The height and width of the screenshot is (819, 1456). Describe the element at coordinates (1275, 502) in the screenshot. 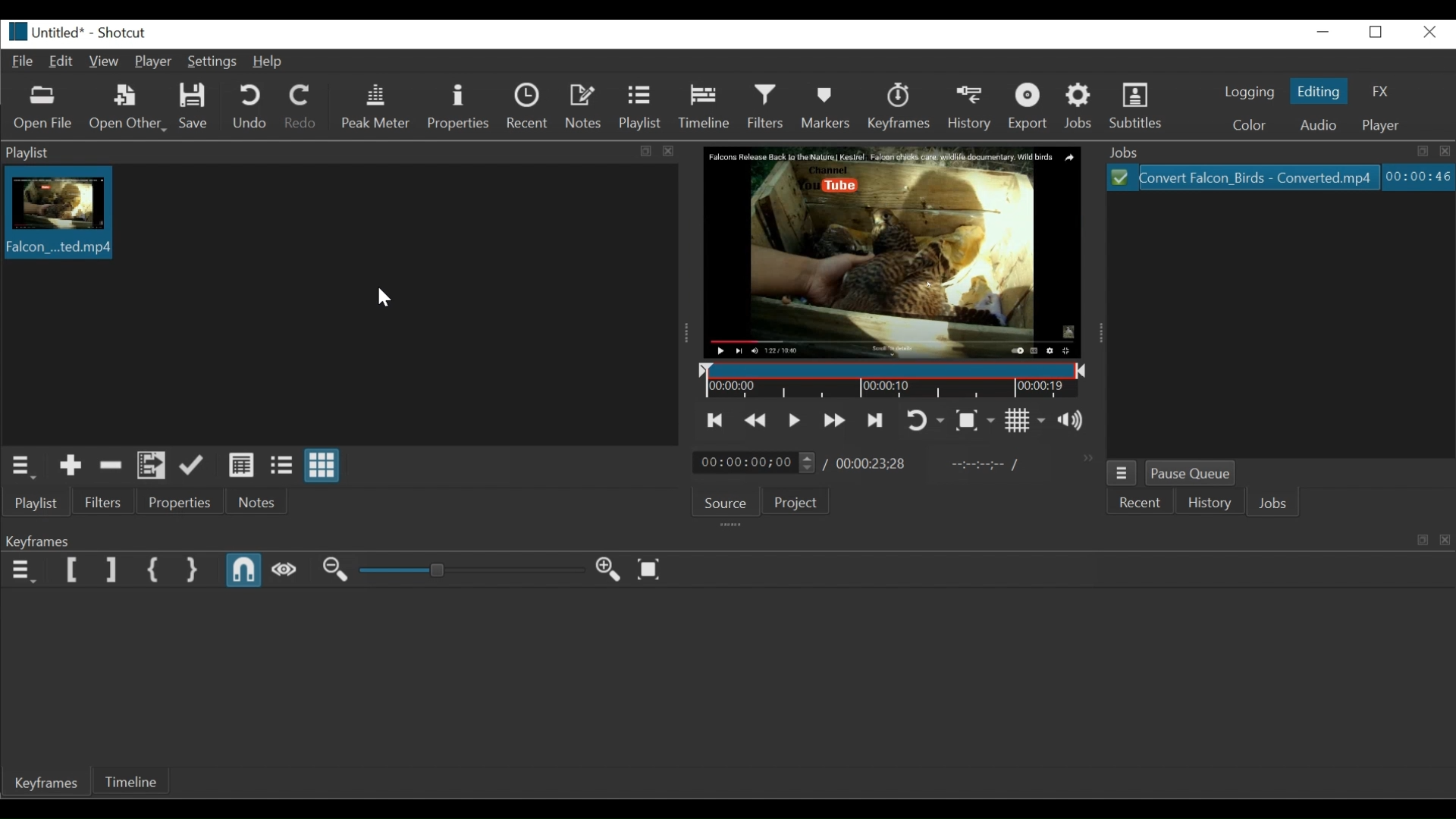

I see `Jobs` at that location.